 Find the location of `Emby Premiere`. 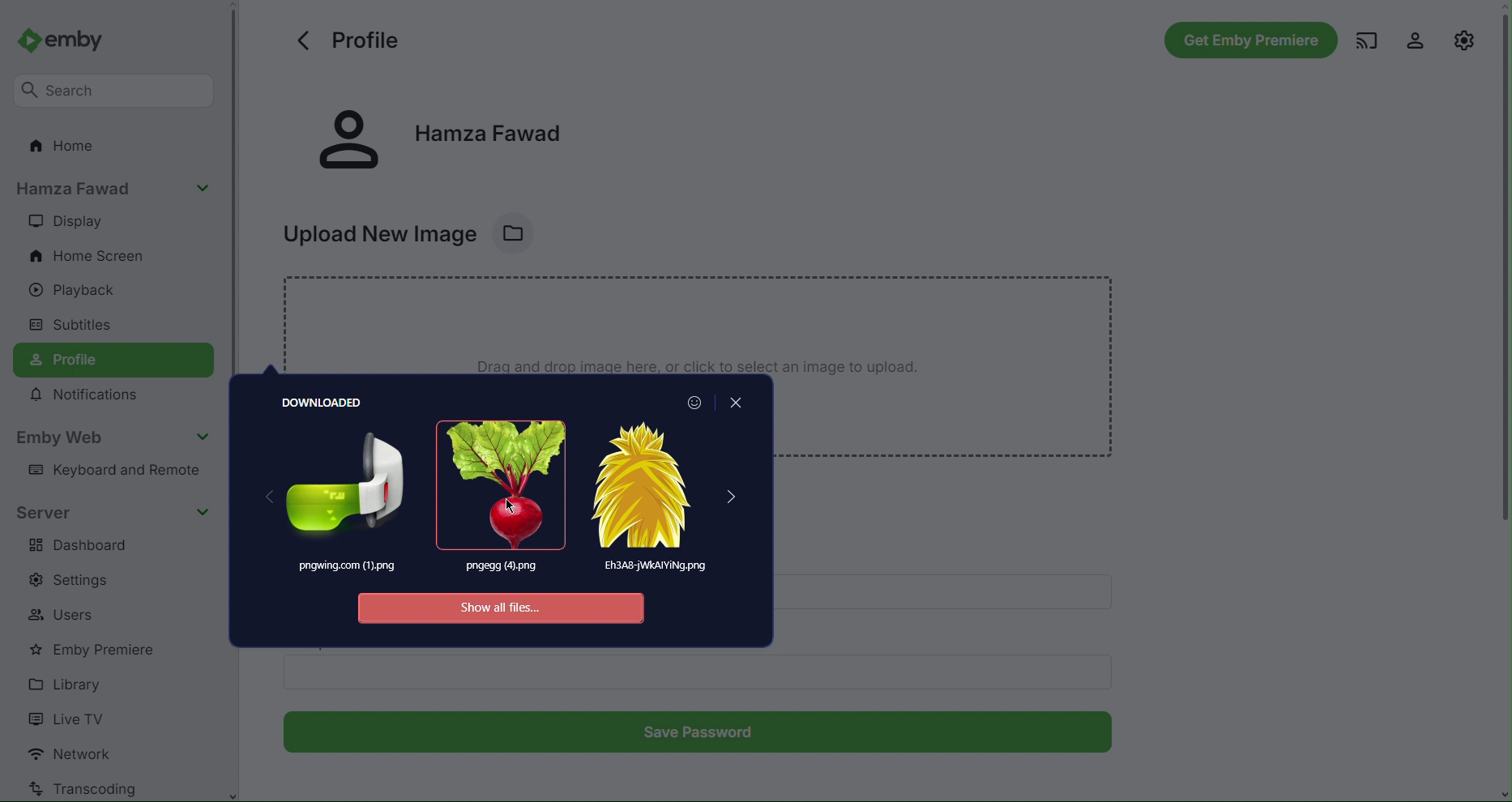

Emby Premiere is located at coordinates (99, 649).